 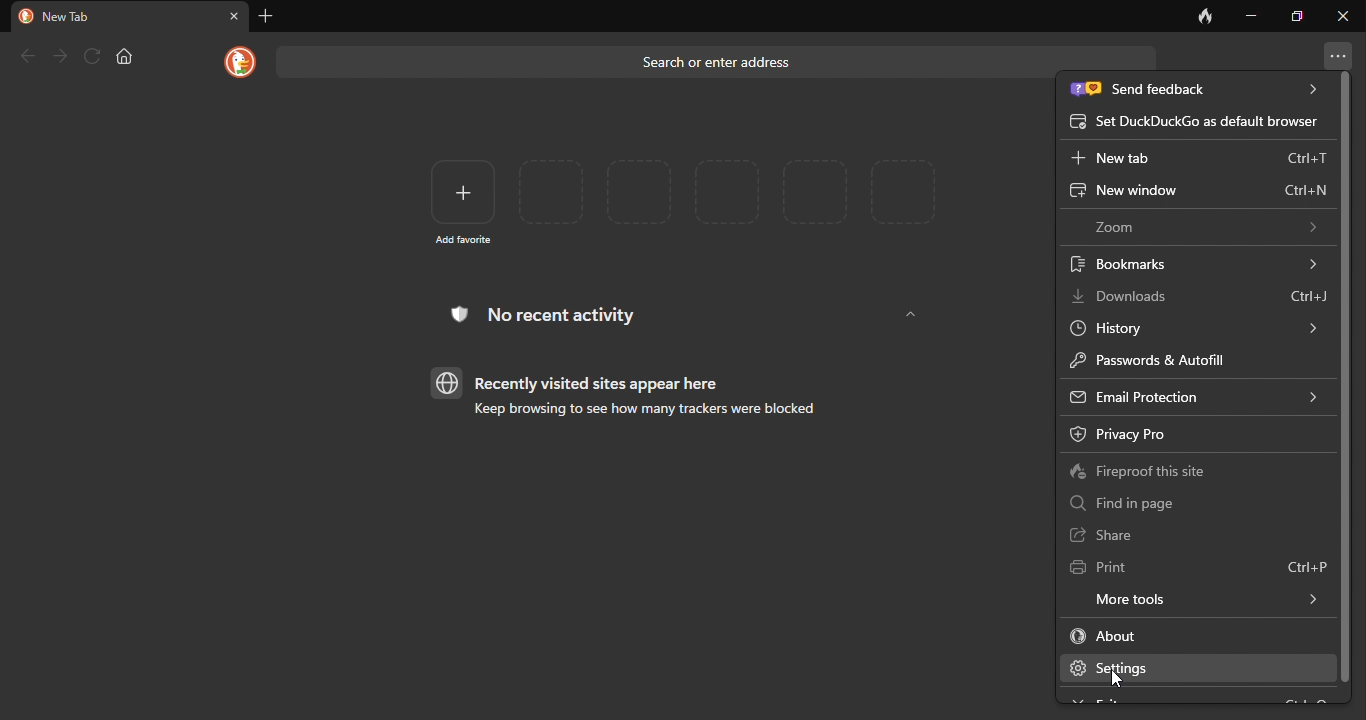 I want to click on add tab, so click(x=271, y=16).